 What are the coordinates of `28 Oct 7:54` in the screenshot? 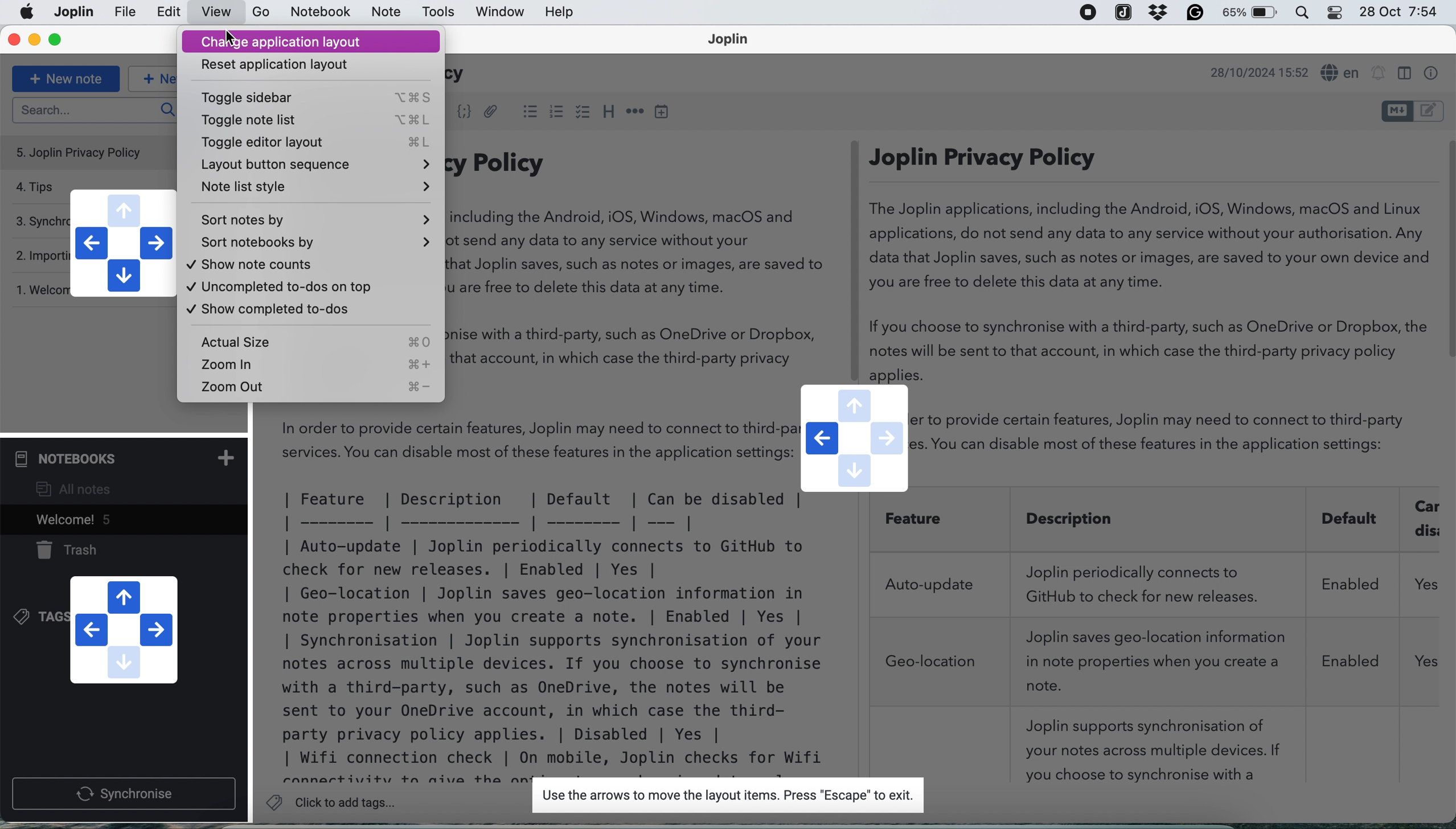 It's located at (1398, 13).